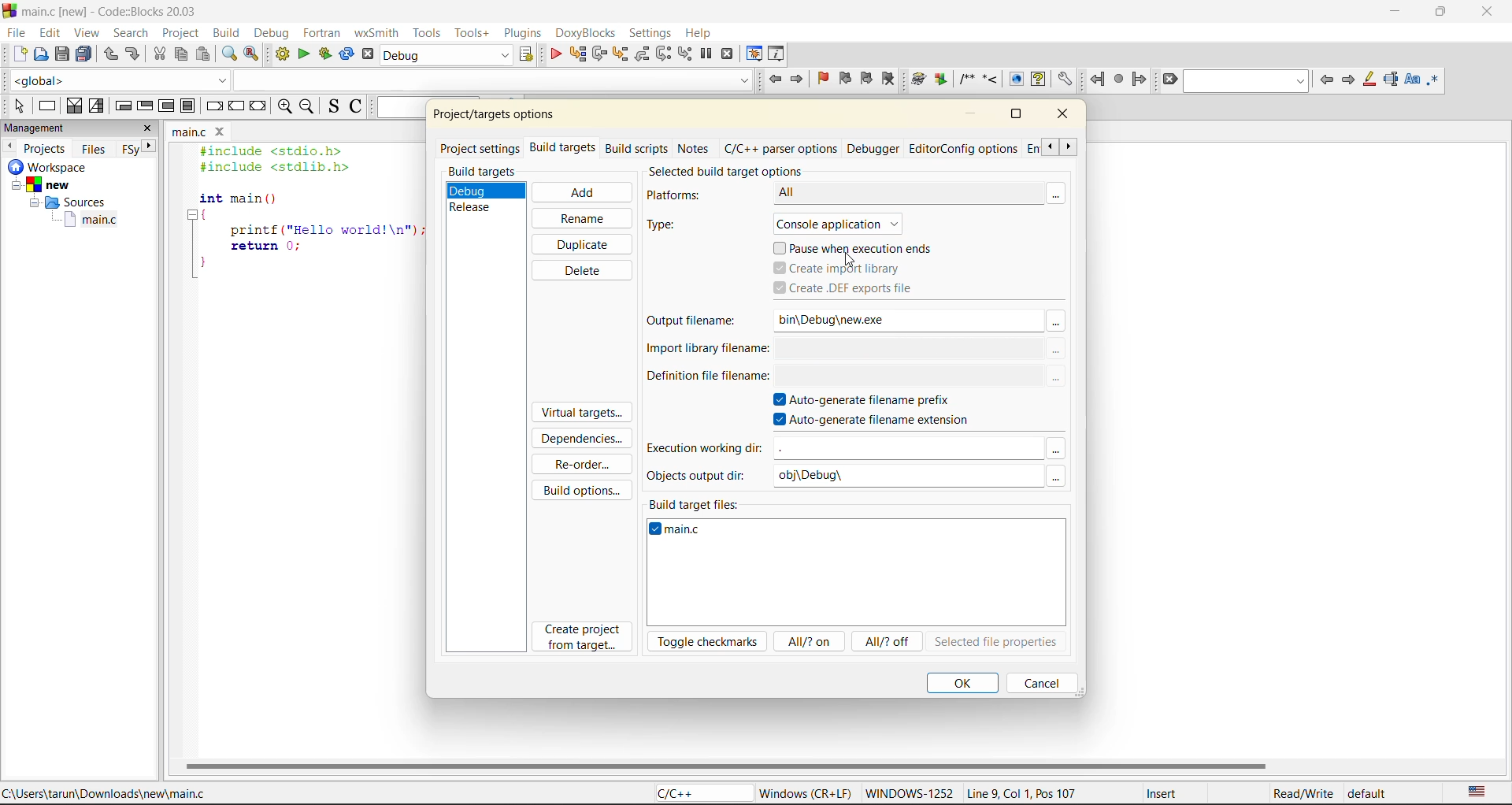 The height and width of the screenshot is (805, 1512). Describe the element at coordinates (187, 106) in the screenshot. I see `break instruction` at that location.